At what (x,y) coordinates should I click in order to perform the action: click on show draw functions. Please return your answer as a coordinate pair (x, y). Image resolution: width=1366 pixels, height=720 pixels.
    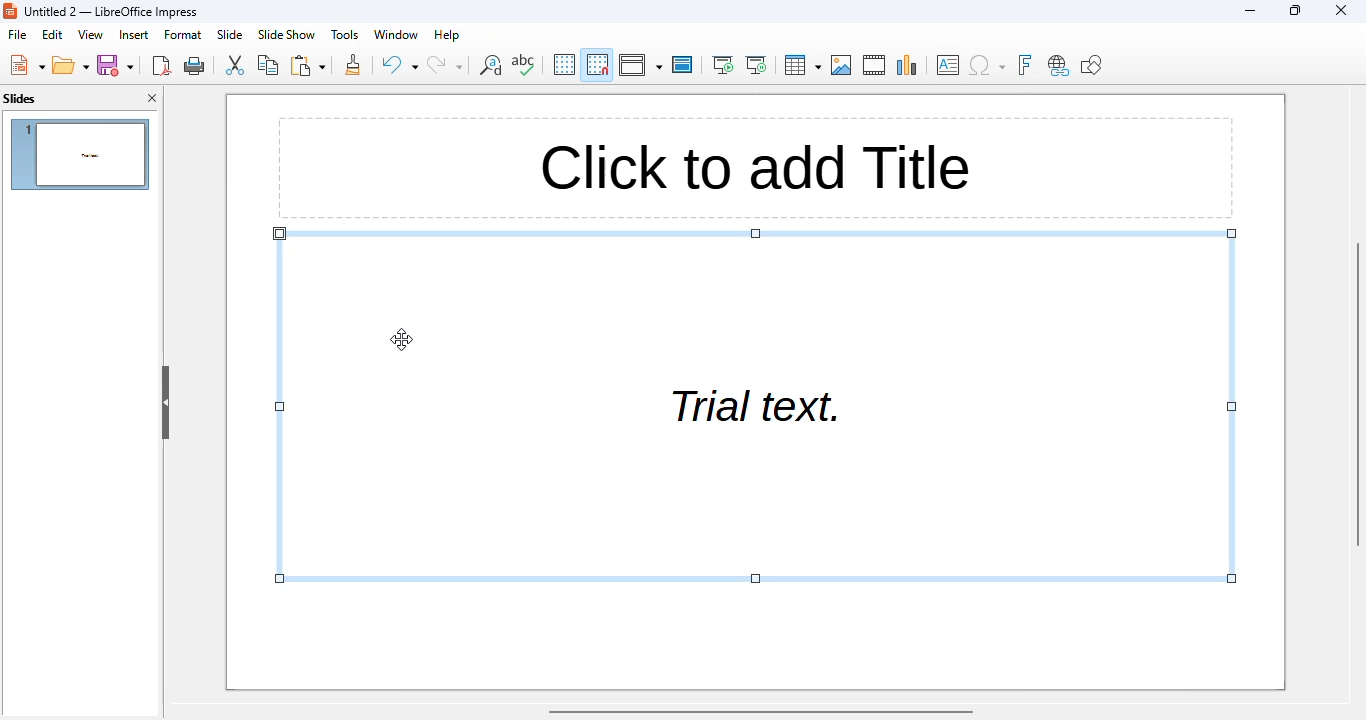
    Looking at the image, I should click on (1092, 65).